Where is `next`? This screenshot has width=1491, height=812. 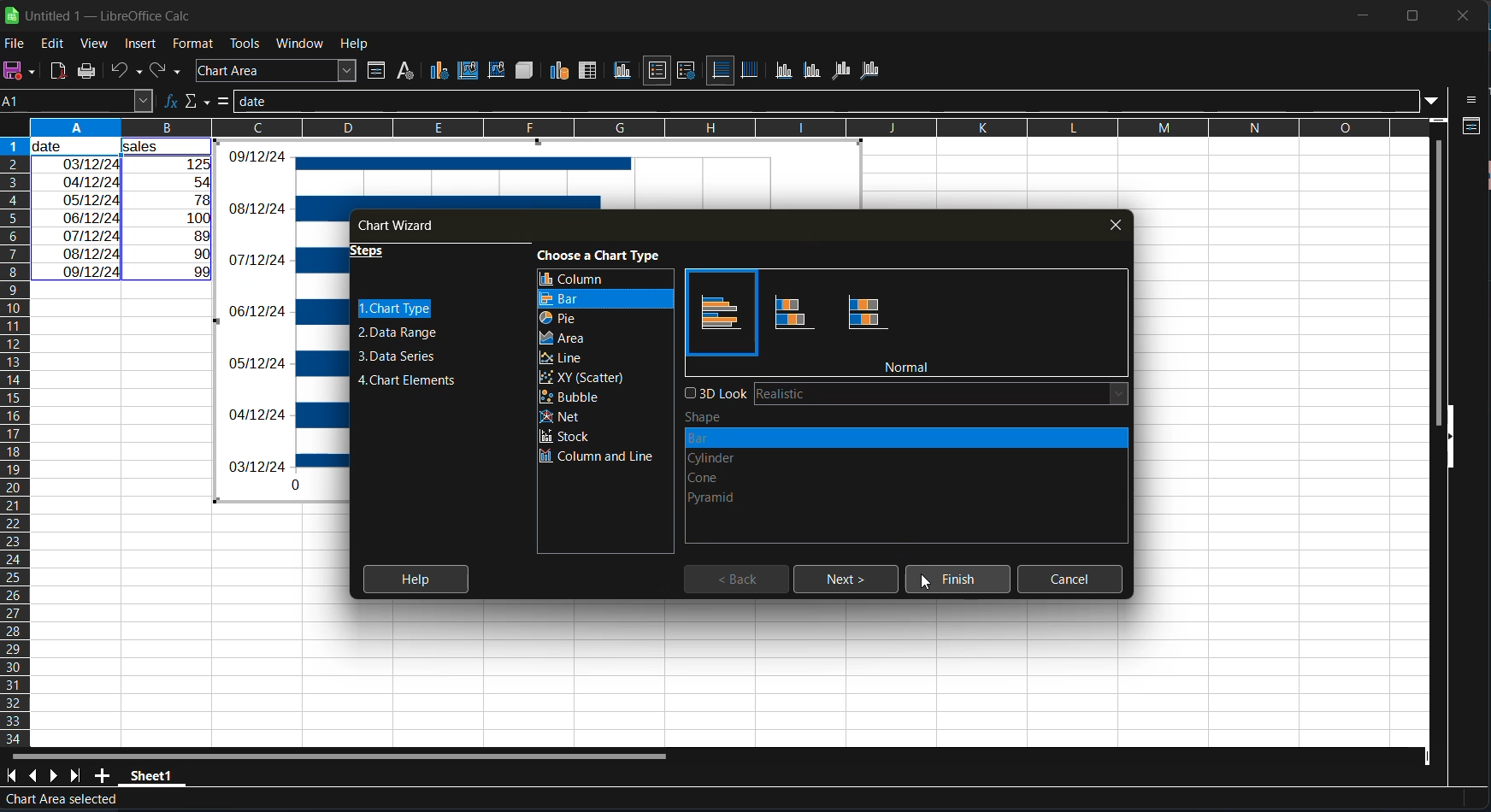
next is located at coordinates (841, 580).